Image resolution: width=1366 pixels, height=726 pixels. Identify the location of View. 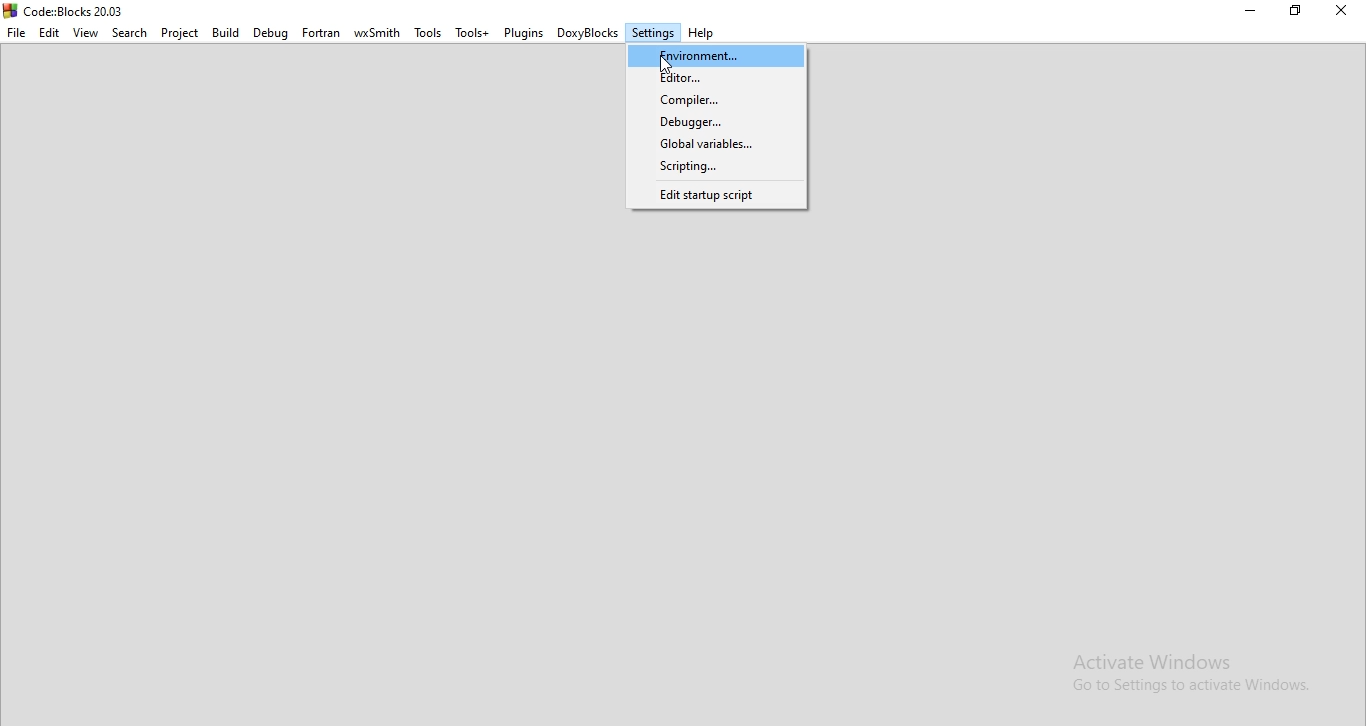
(86, 34).